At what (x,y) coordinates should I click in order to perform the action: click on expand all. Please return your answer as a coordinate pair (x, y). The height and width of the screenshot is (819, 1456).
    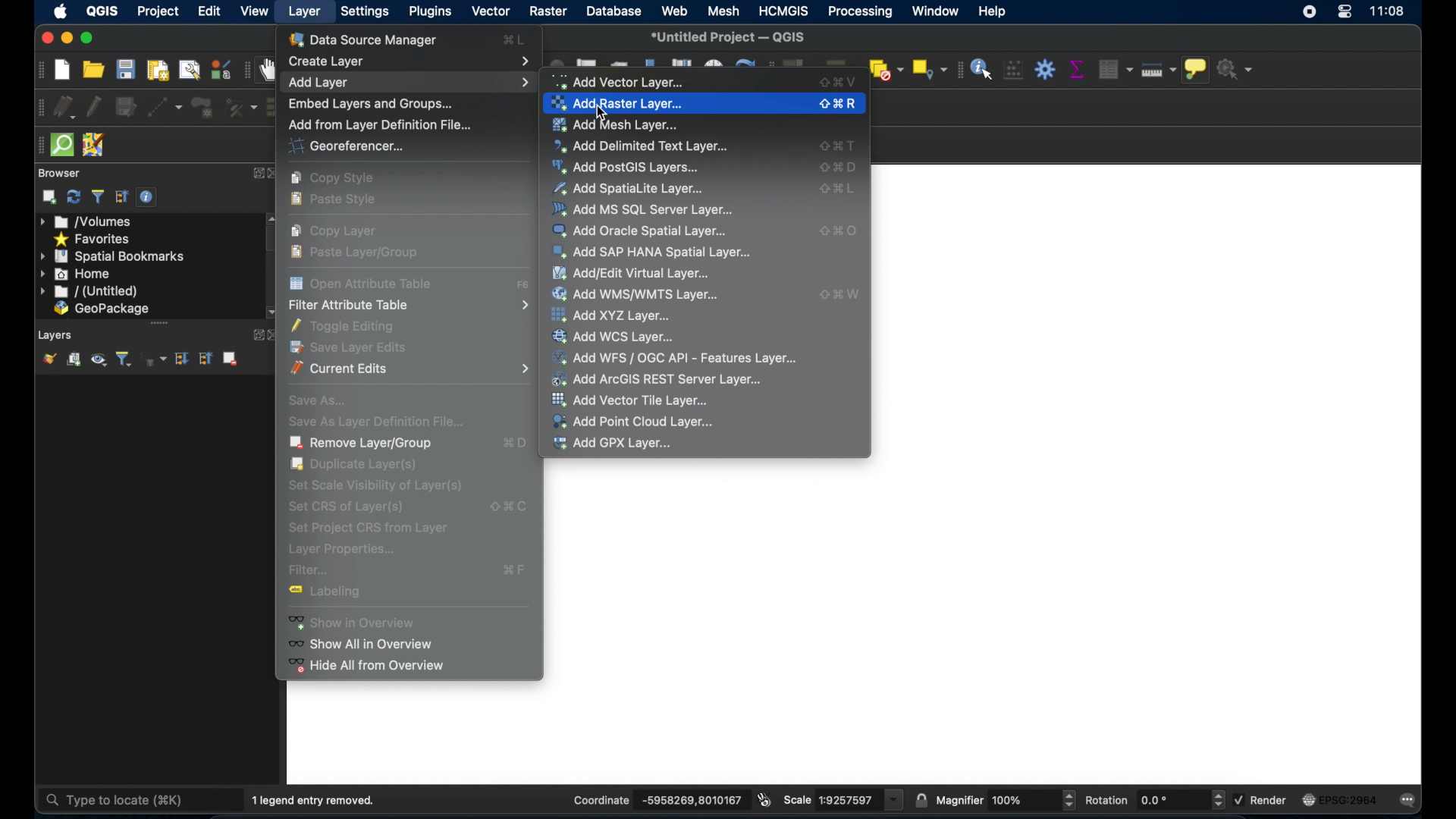
    Looking at the image, I should click on (183, 359).